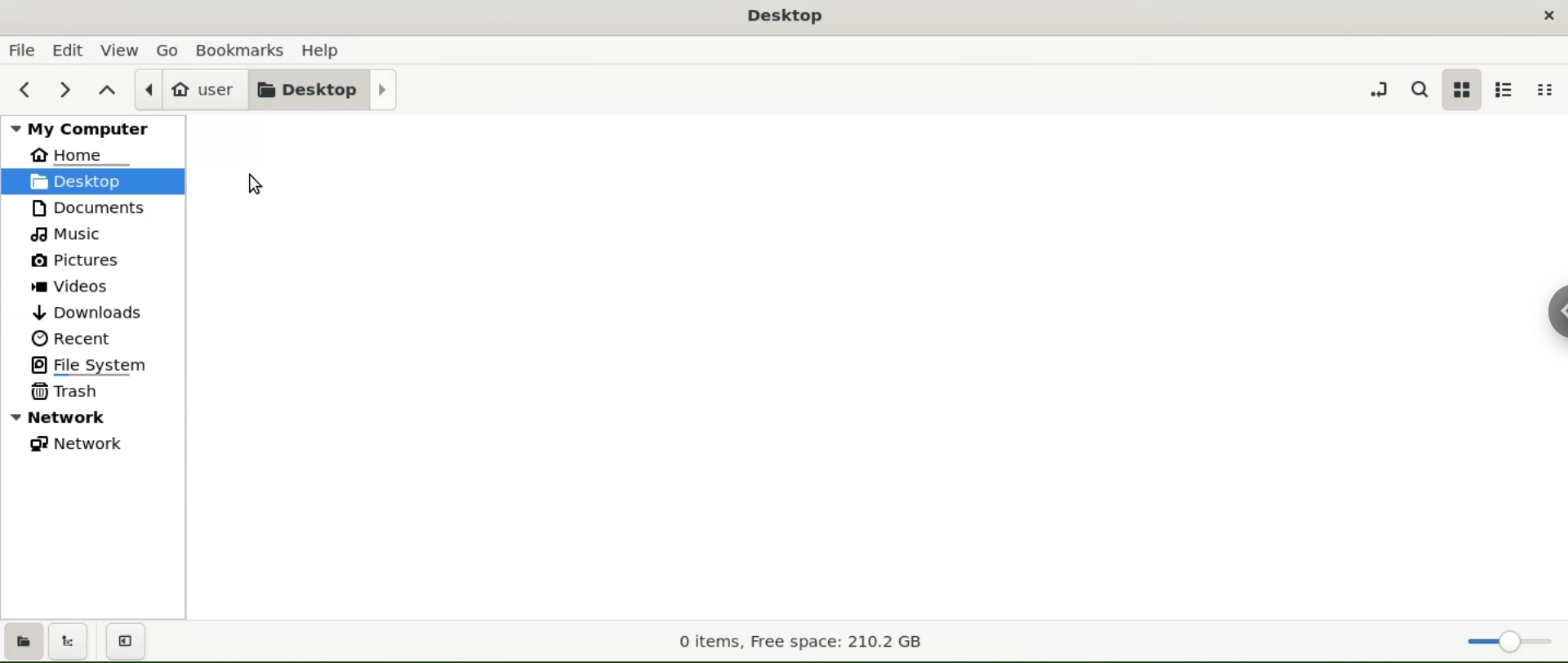  I want to click on desktop, so click(93, 181).